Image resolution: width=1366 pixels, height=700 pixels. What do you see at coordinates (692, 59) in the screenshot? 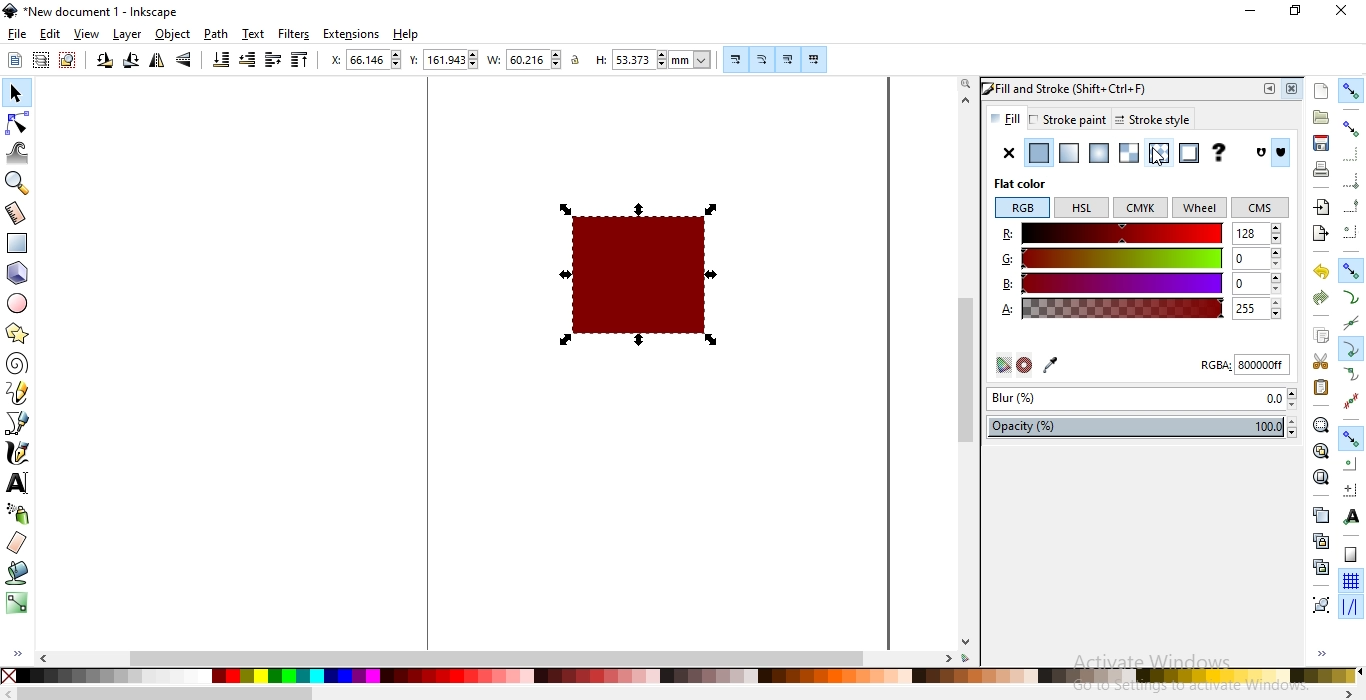
I see `mm` at bounding box center [692, 59].